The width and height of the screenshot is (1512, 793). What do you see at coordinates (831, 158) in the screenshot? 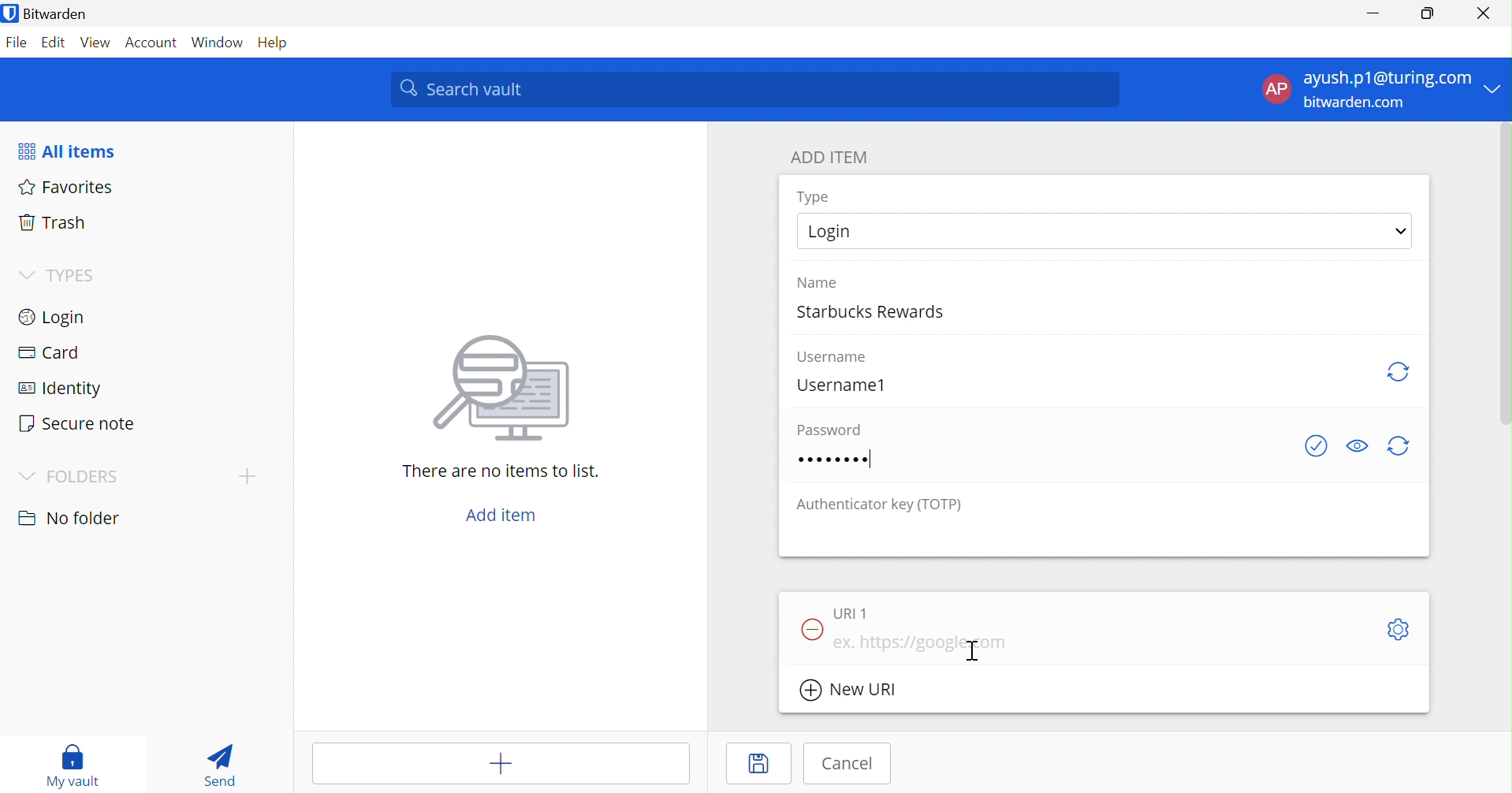
I see `ADD ITEM` at bounding box center [831, 158].